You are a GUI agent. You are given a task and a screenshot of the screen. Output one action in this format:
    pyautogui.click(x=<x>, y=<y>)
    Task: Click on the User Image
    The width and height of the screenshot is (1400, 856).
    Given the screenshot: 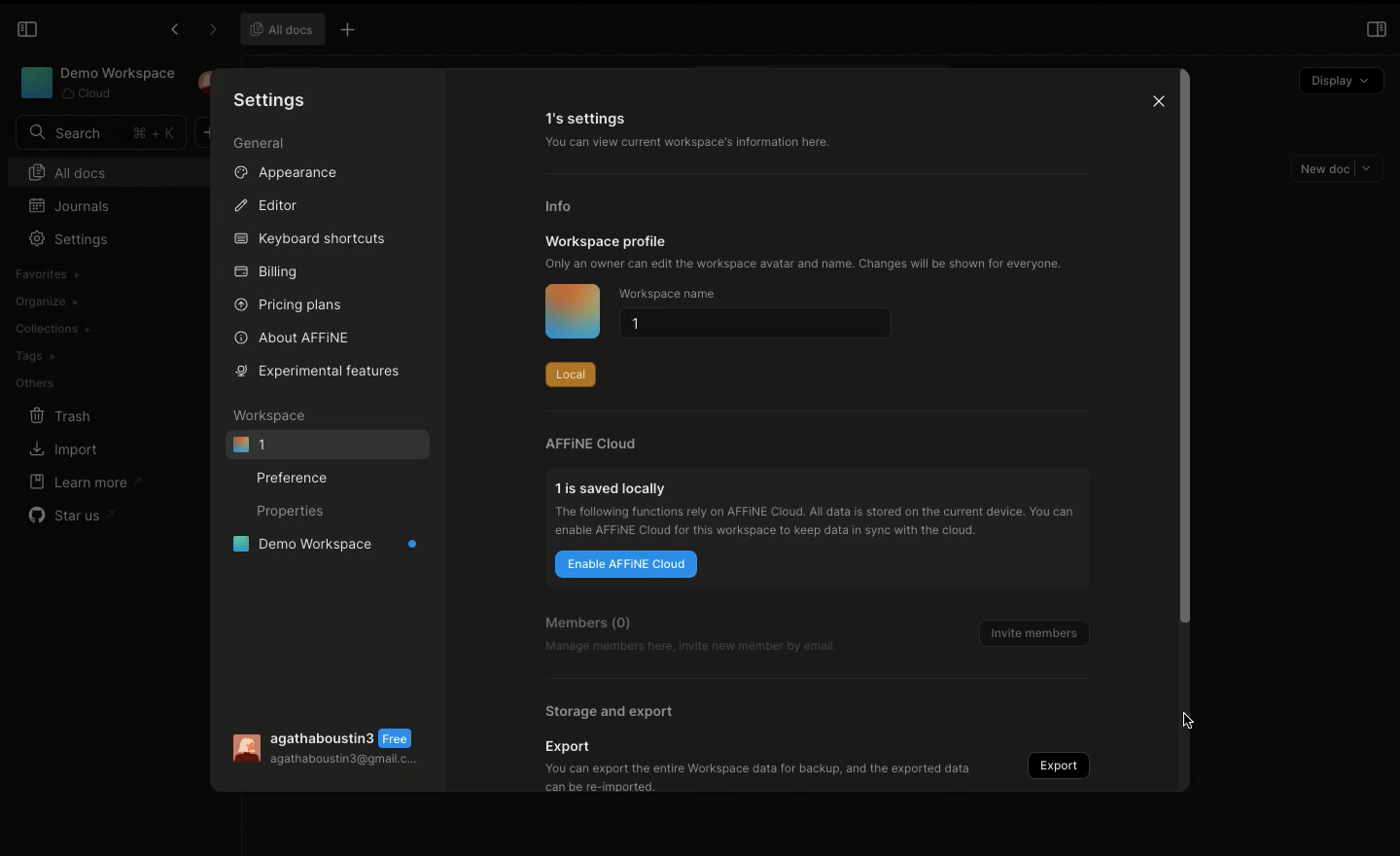 What is the action you would take?
    pyautogui.click(x=244, y=749)
    